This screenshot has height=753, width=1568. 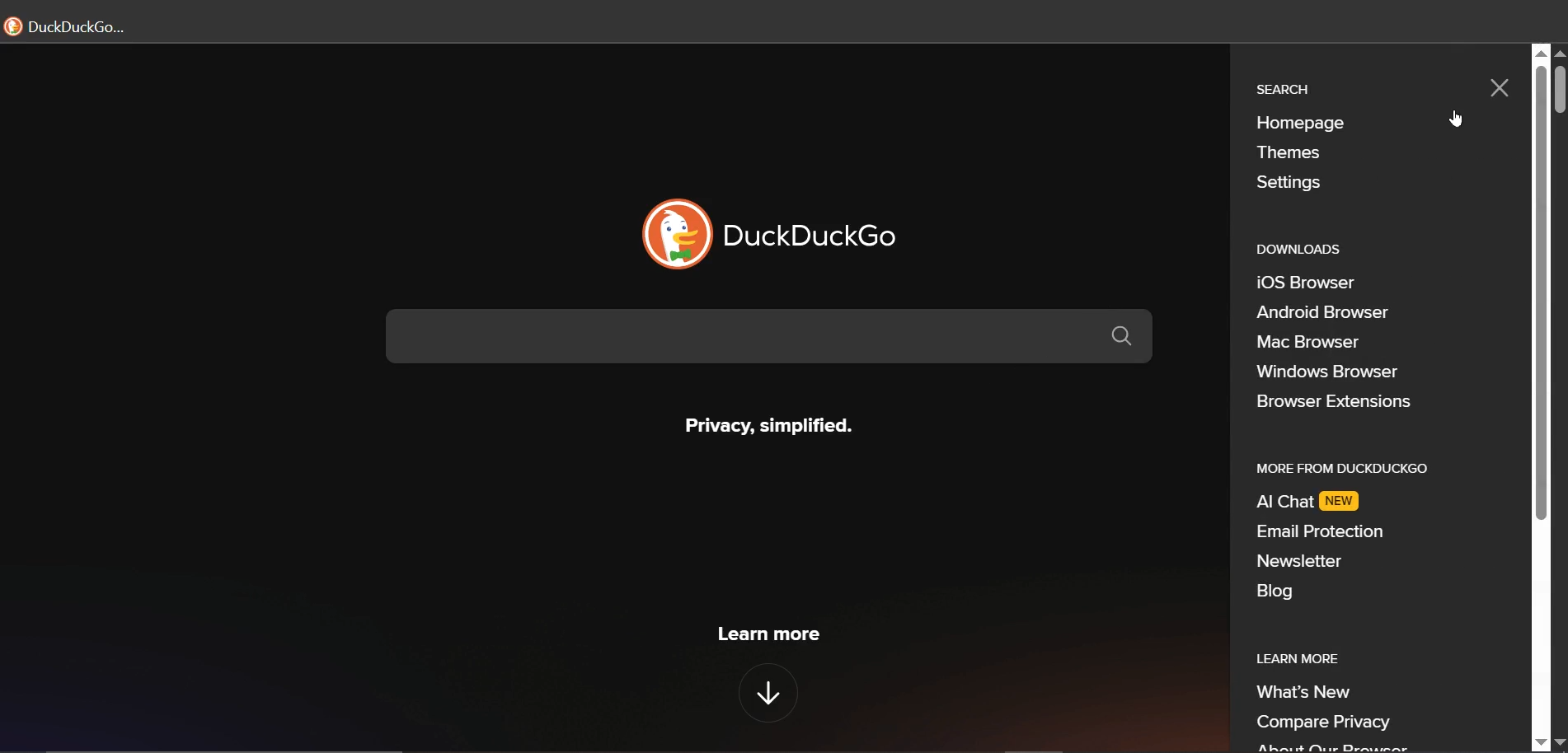 I want to click on cursor, so click(x=1453, y=119).